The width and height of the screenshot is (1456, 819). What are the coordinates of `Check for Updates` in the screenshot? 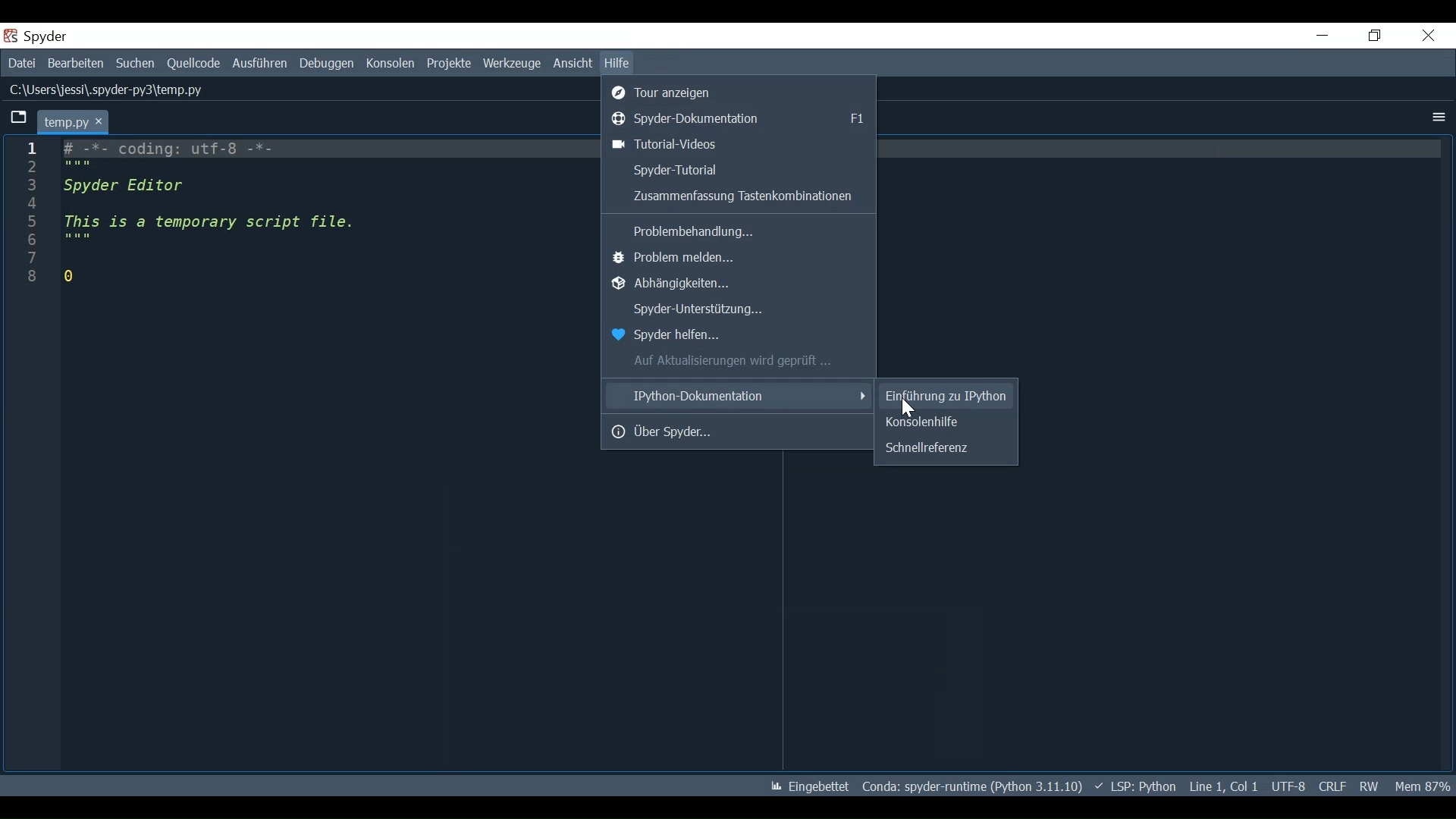 It's located at (740, 361).